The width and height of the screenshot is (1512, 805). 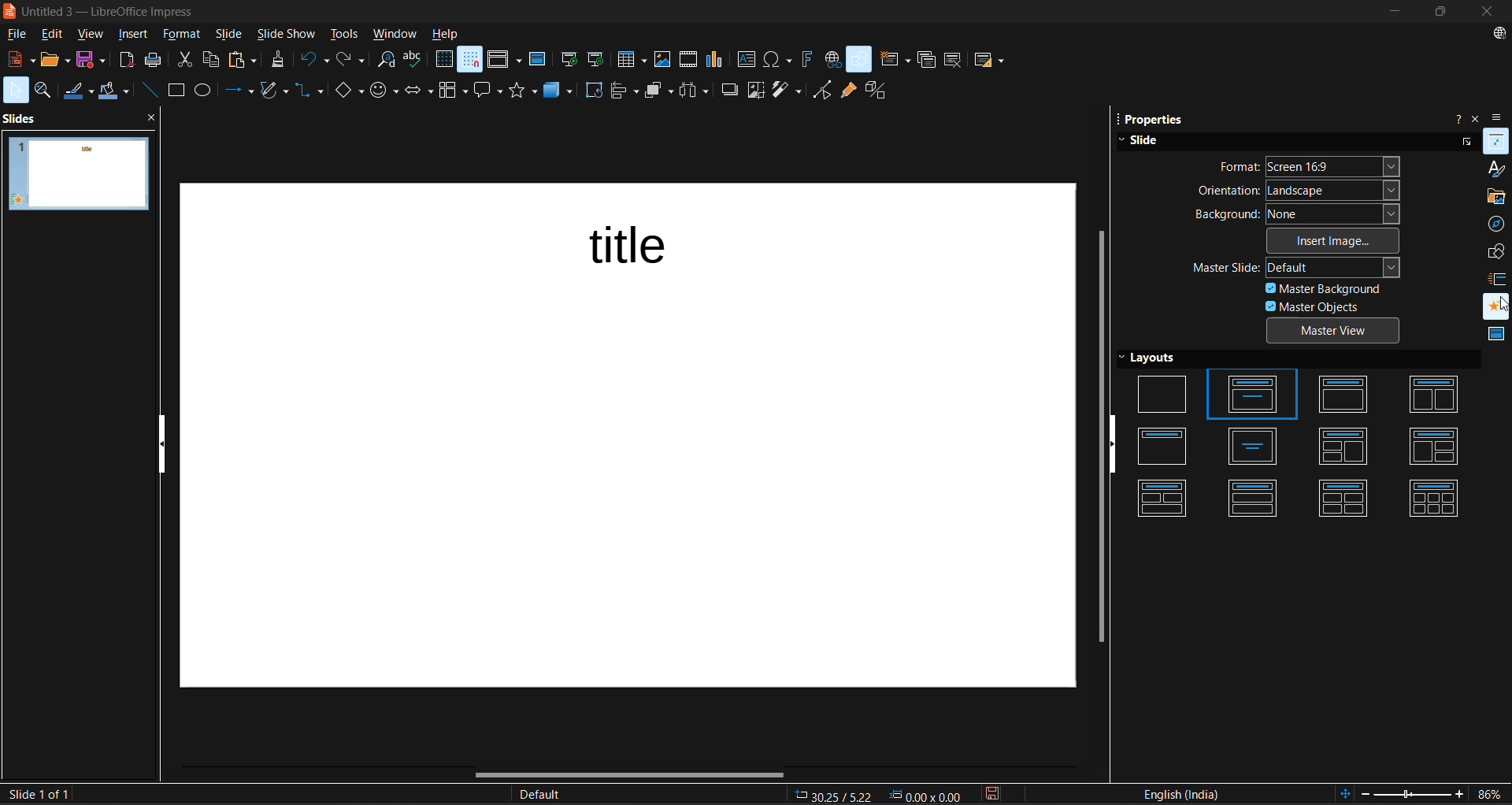 I want to click on 3d objects, so click(x=558, y=94).